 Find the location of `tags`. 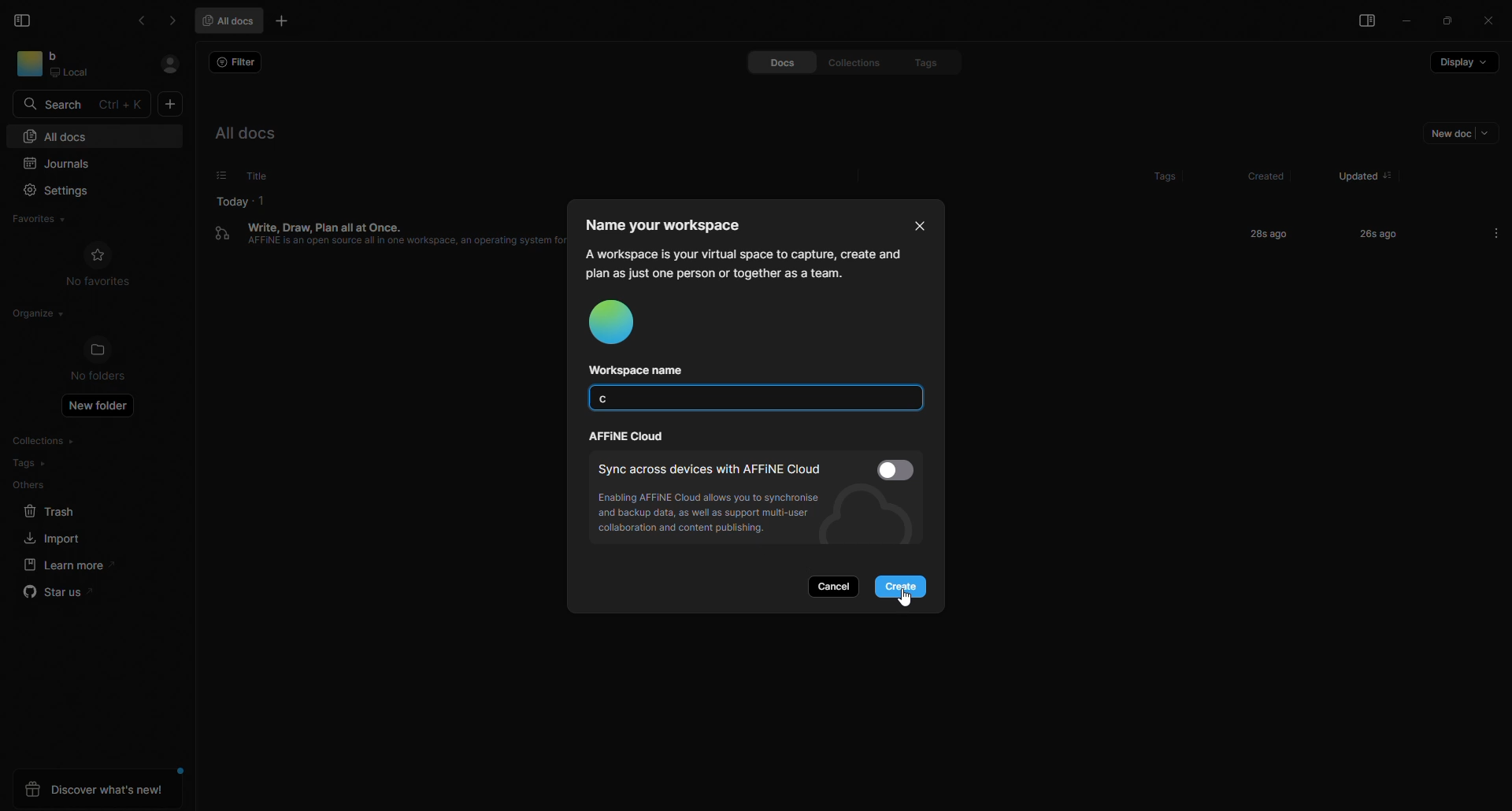

tags is located at coordinates (30, 463).